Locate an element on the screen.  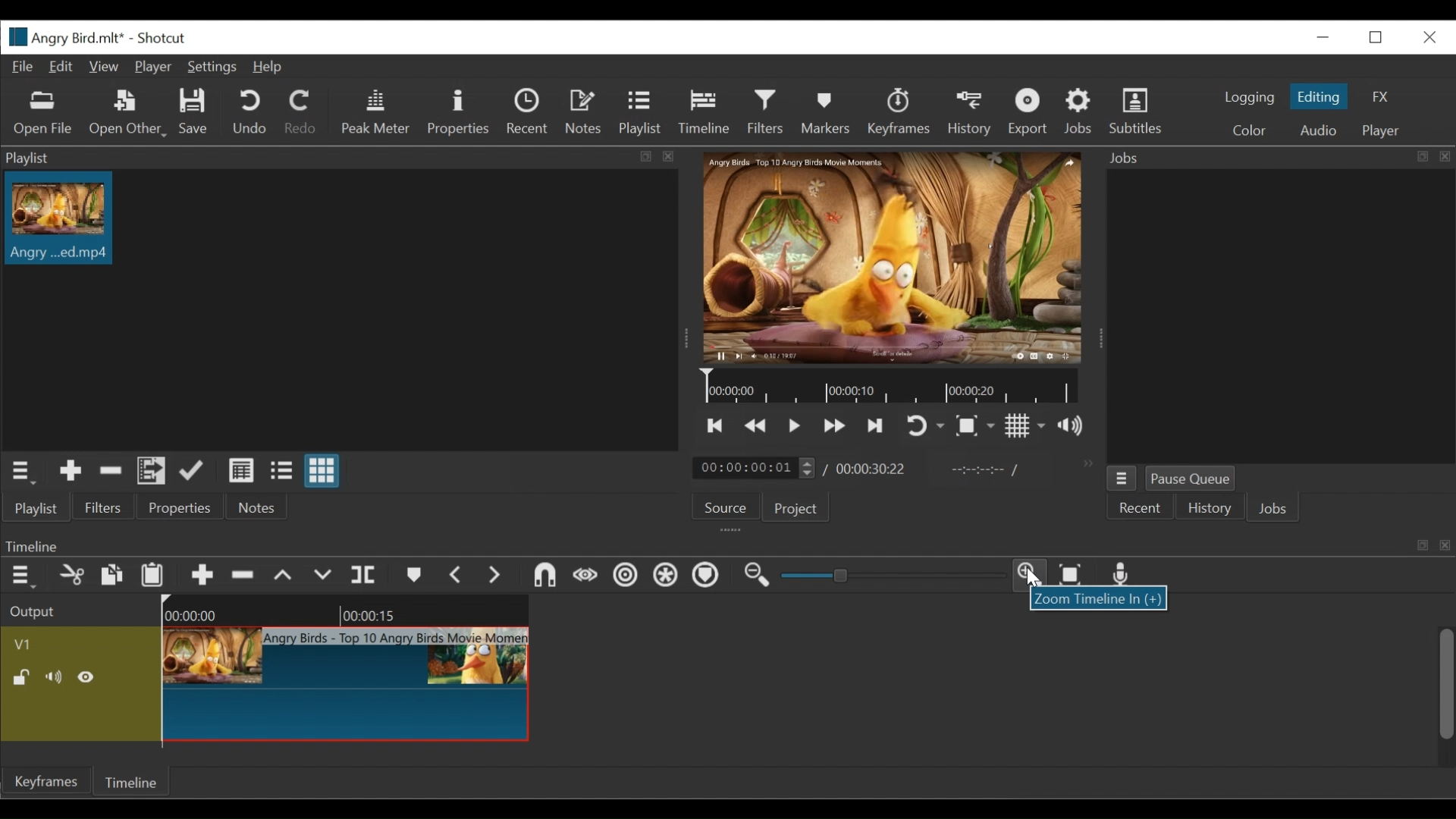
Previous marker is located at coordinates (457, 576).